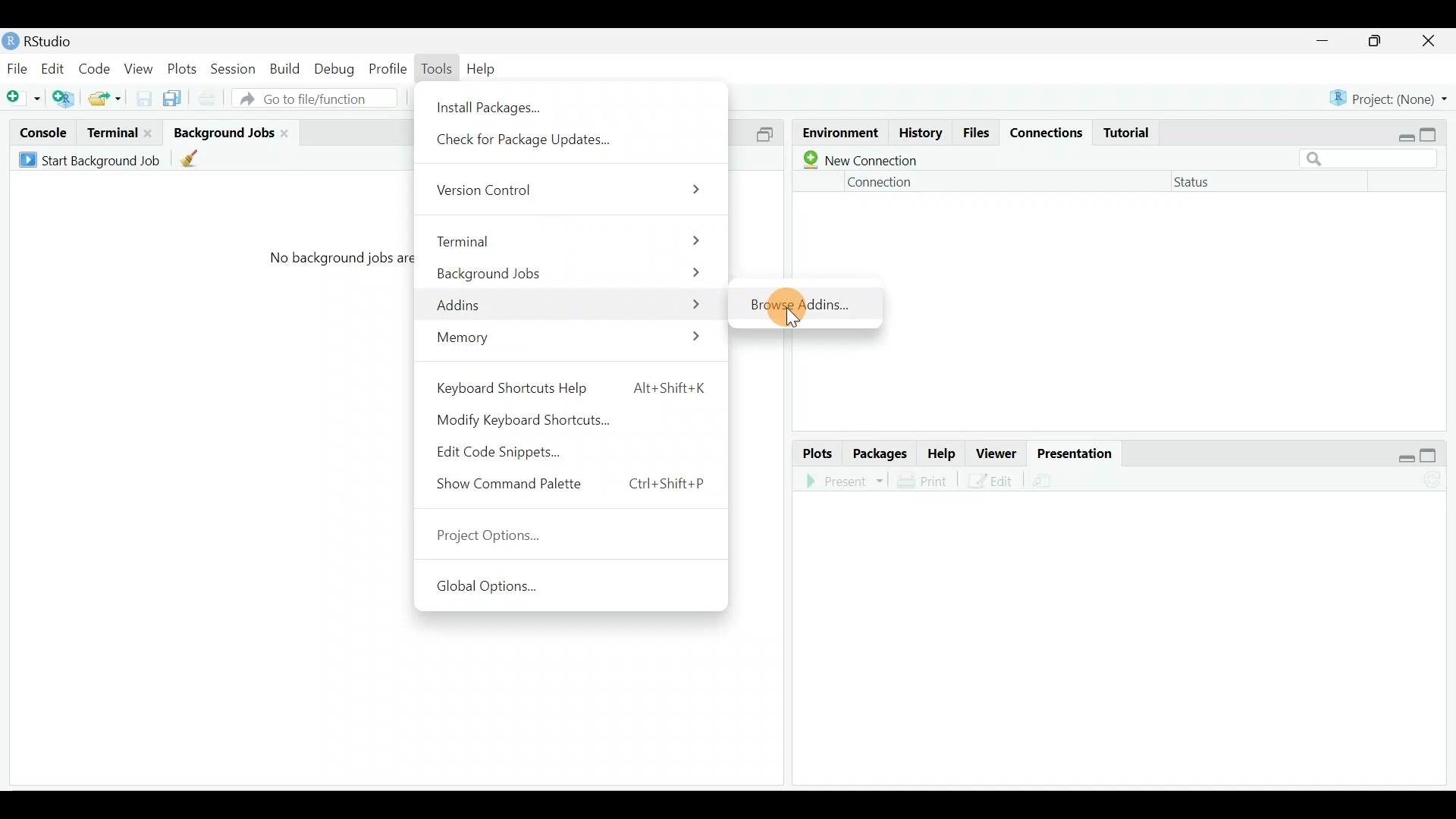 This screenshot has height=819, width=1456. Describe the element at coordinates (1406, 451) in the screenshot. I see `restore down` at that location.